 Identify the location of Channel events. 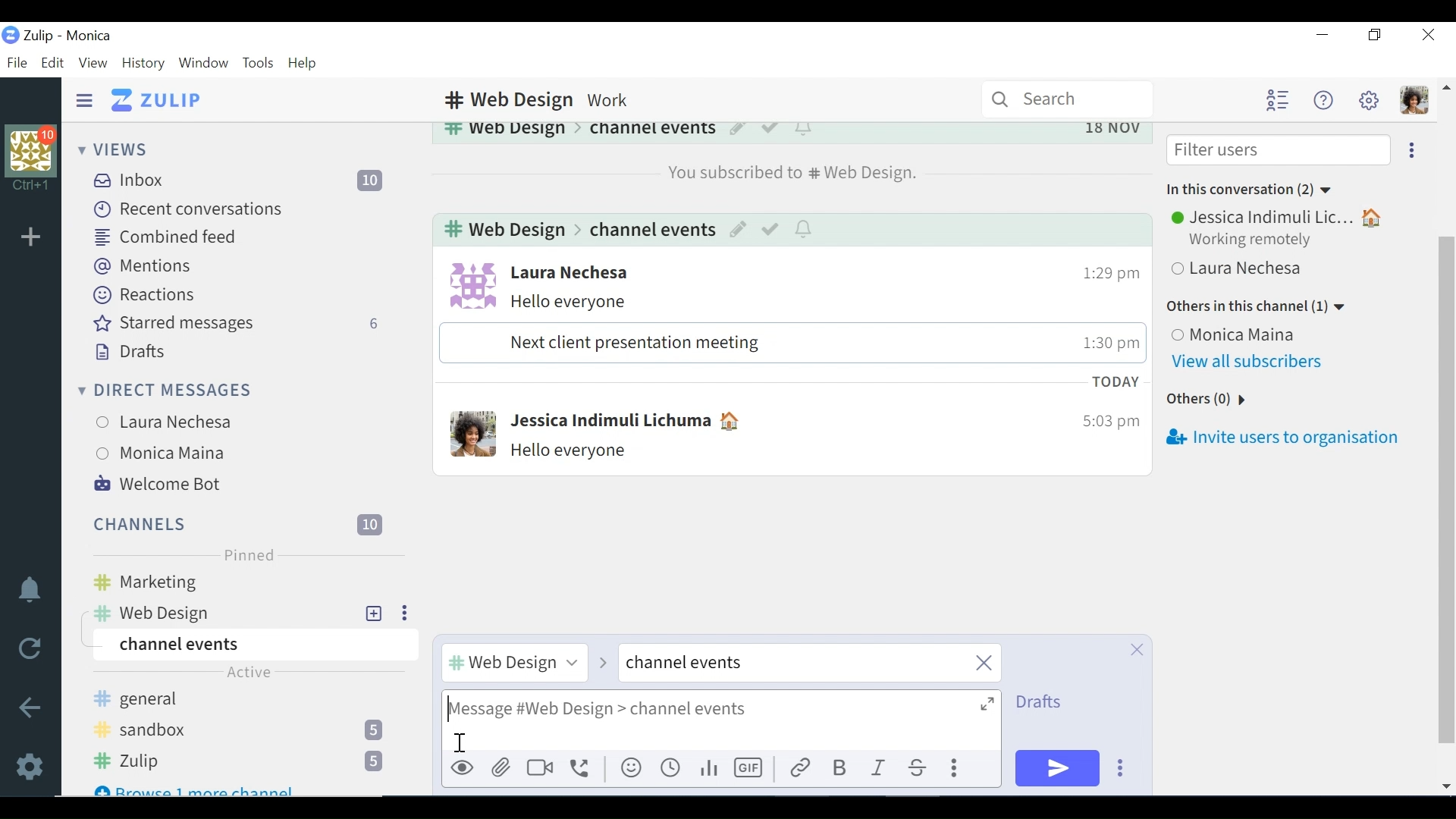
(252, 645).